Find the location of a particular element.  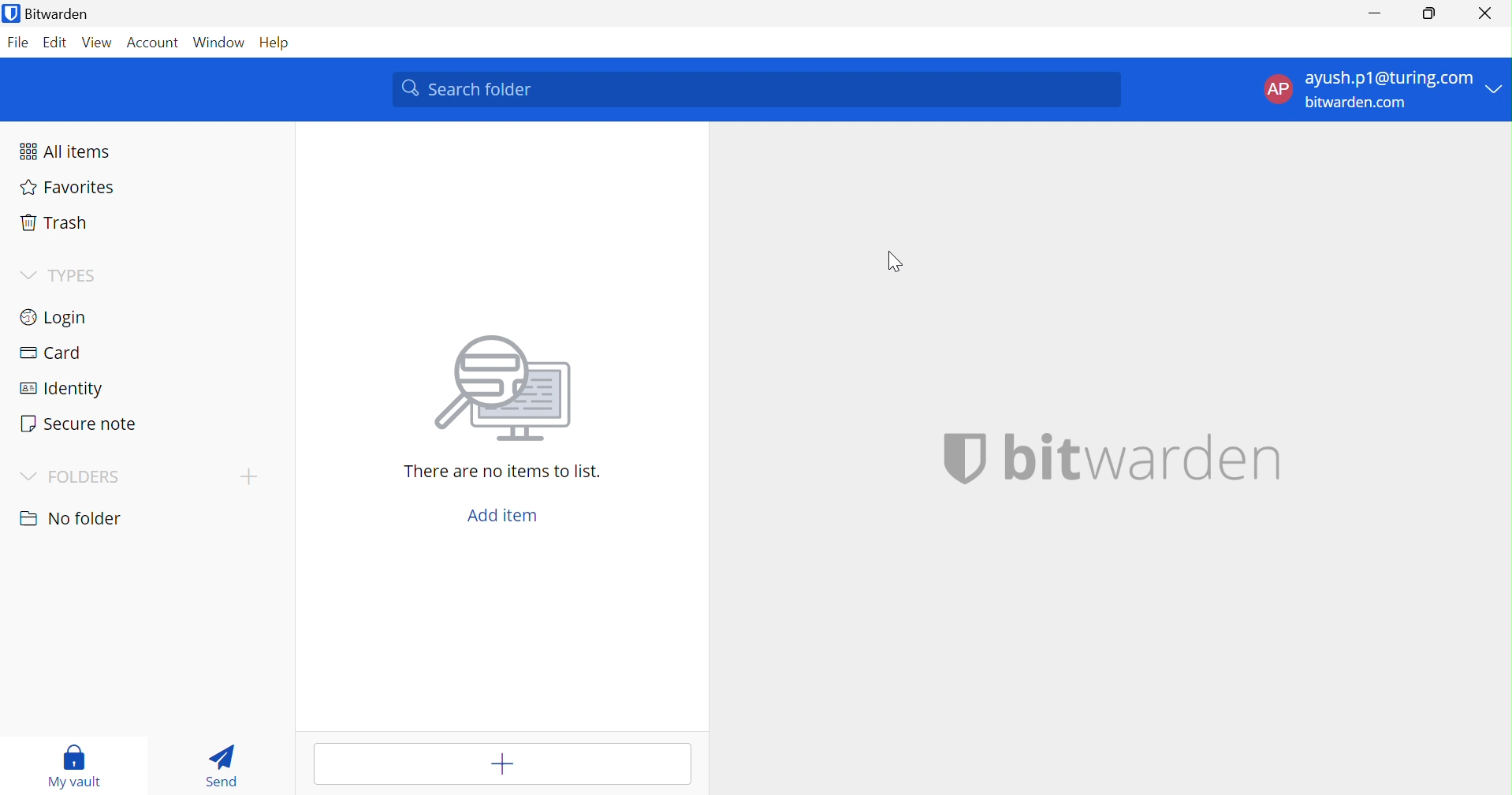

Edit is located at coordinates (56, 43).